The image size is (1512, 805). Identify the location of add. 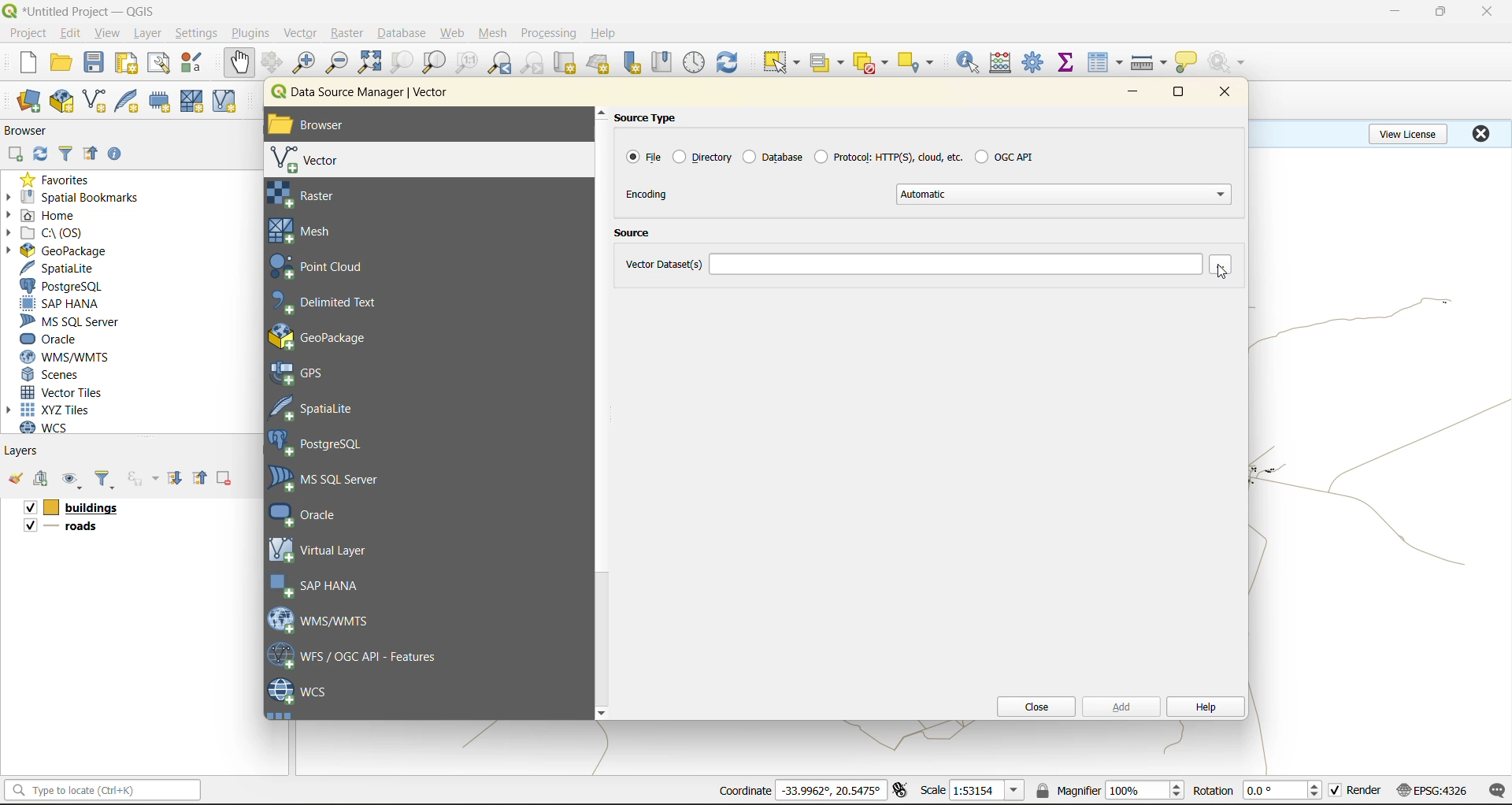
(1119, 706).